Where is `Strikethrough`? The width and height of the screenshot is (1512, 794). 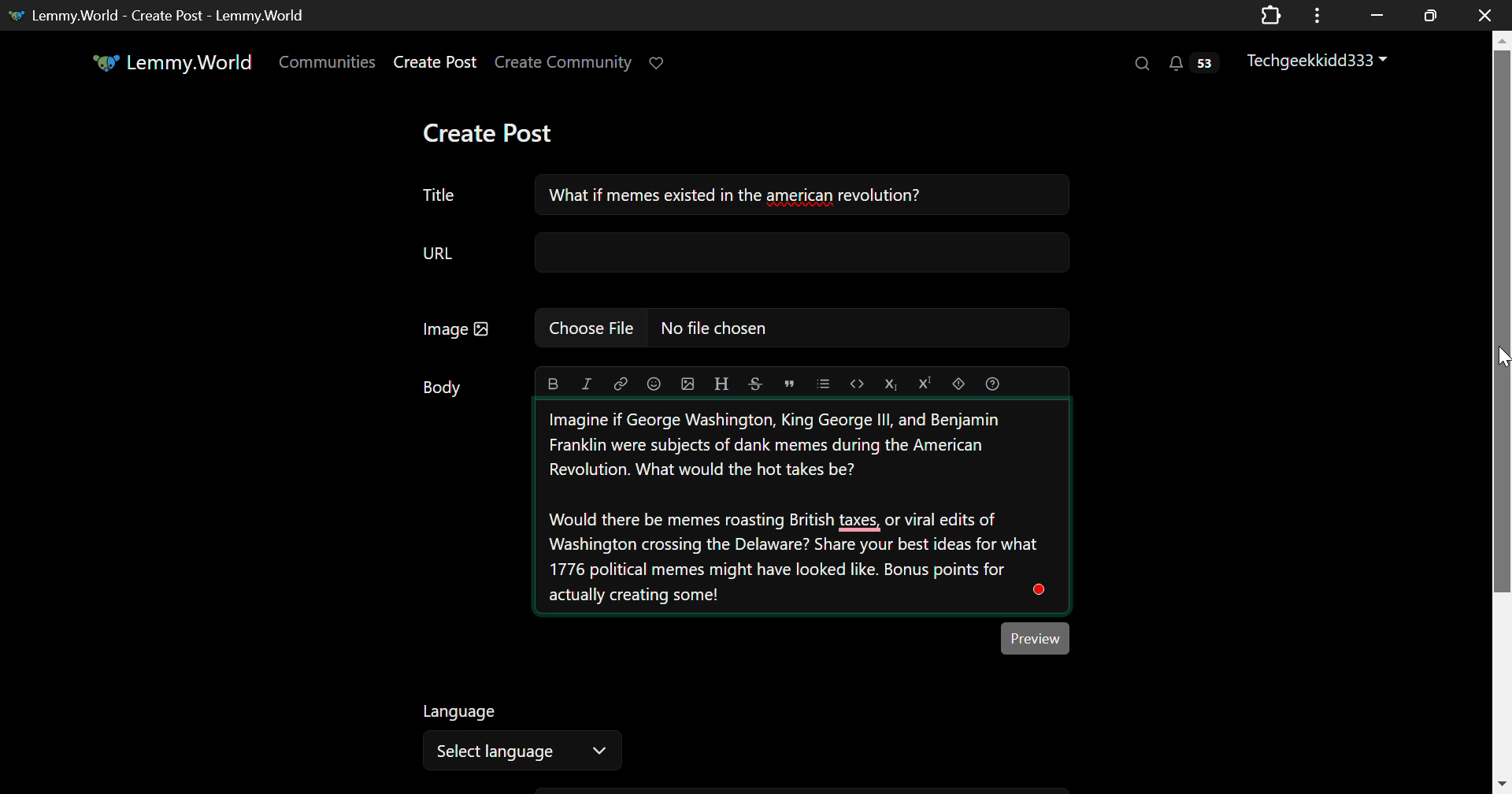 Strikethrough is located at coordinates (756, 384).